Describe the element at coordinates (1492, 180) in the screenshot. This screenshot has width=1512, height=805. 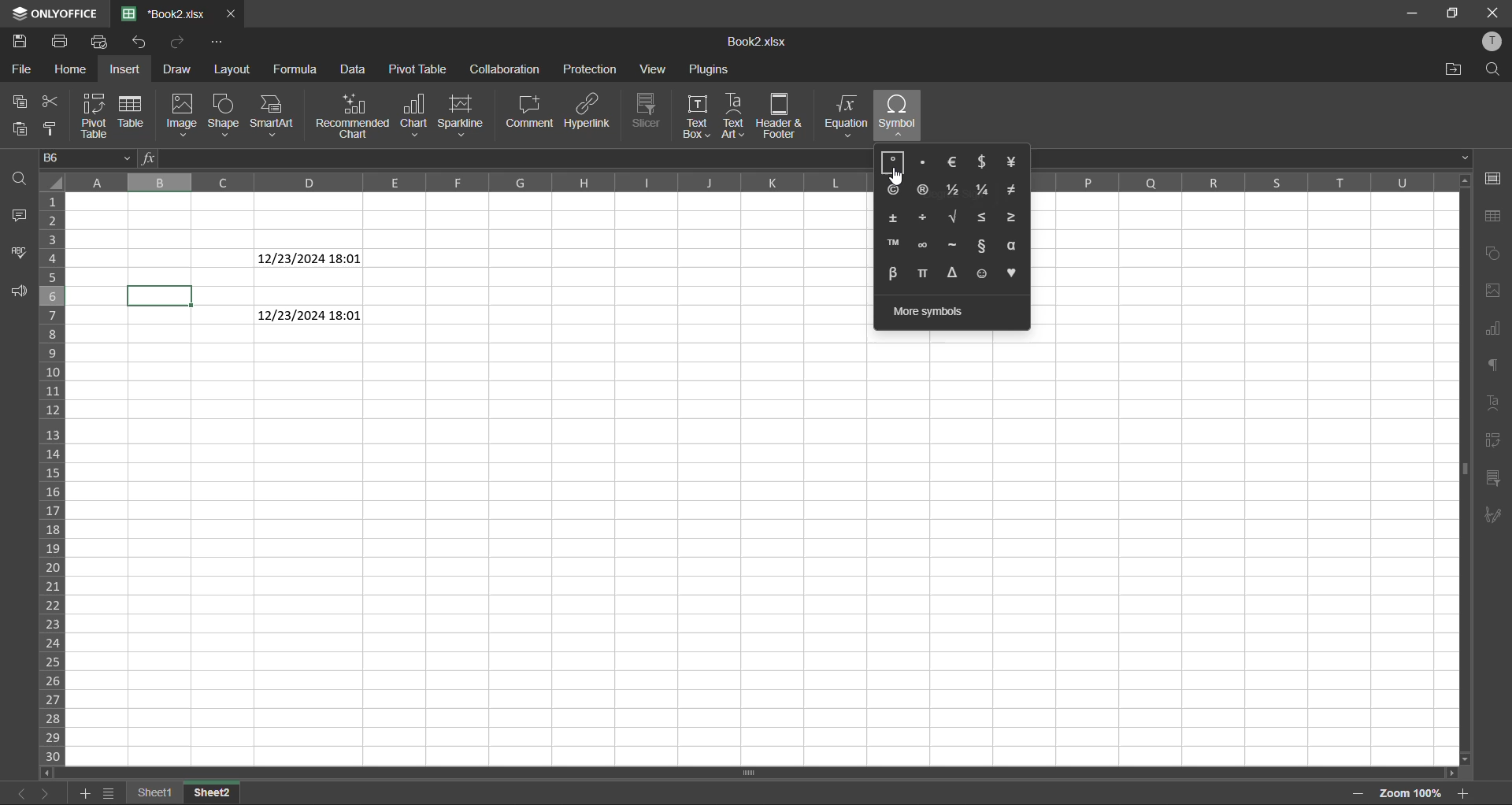
I see `cell settings` at that location.